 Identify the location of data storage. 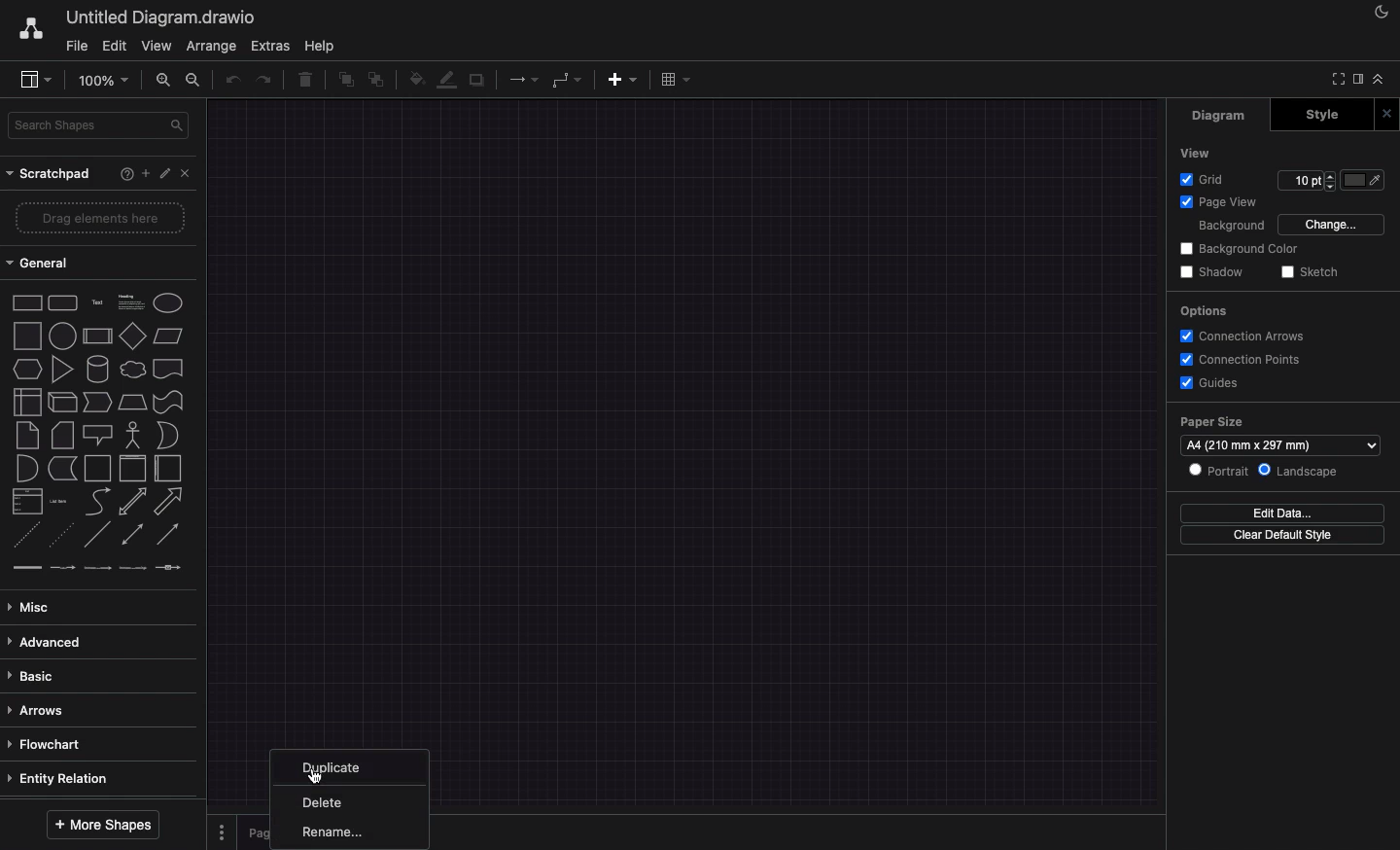
(64, 470).